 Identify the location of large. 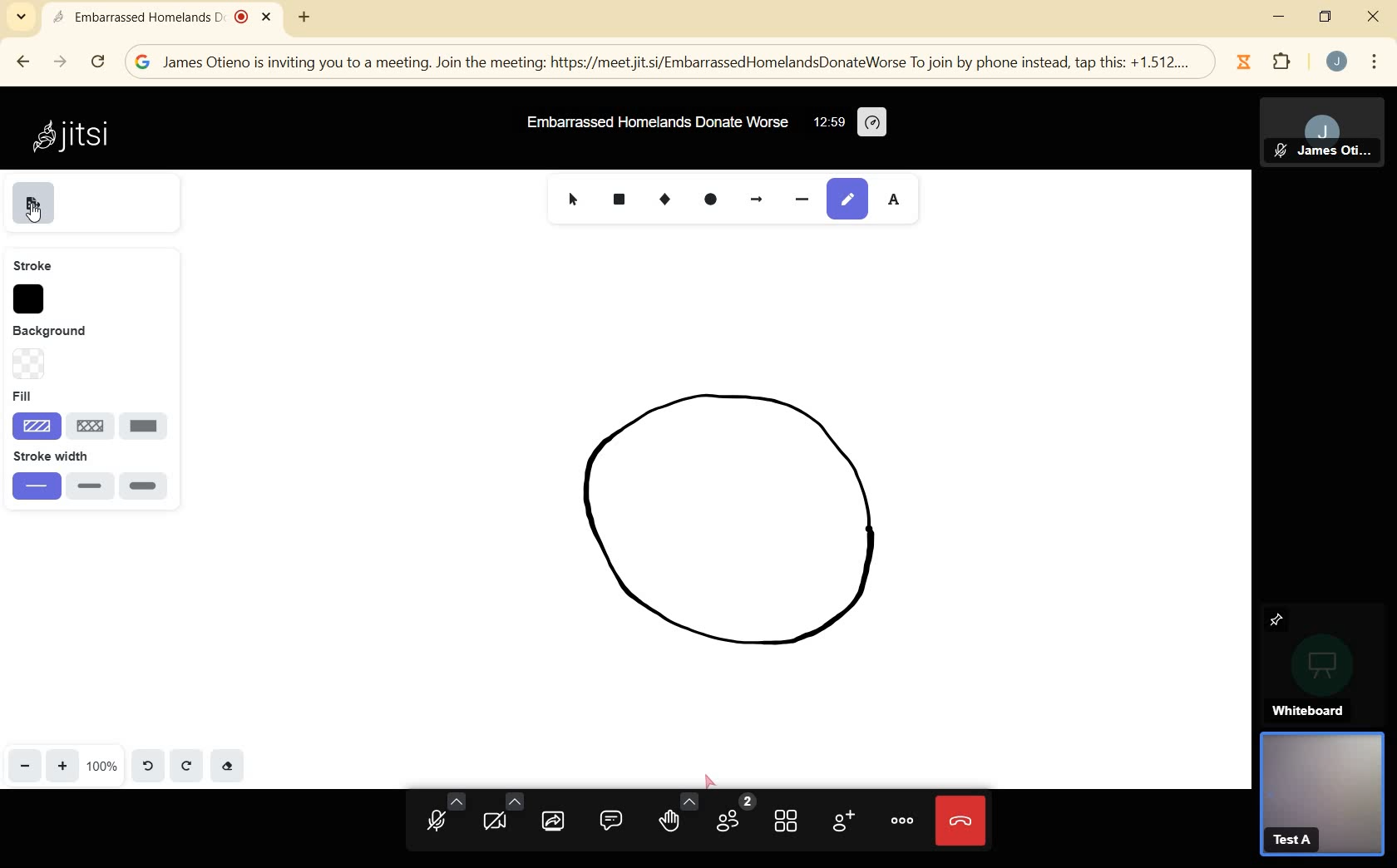
(148, 486).